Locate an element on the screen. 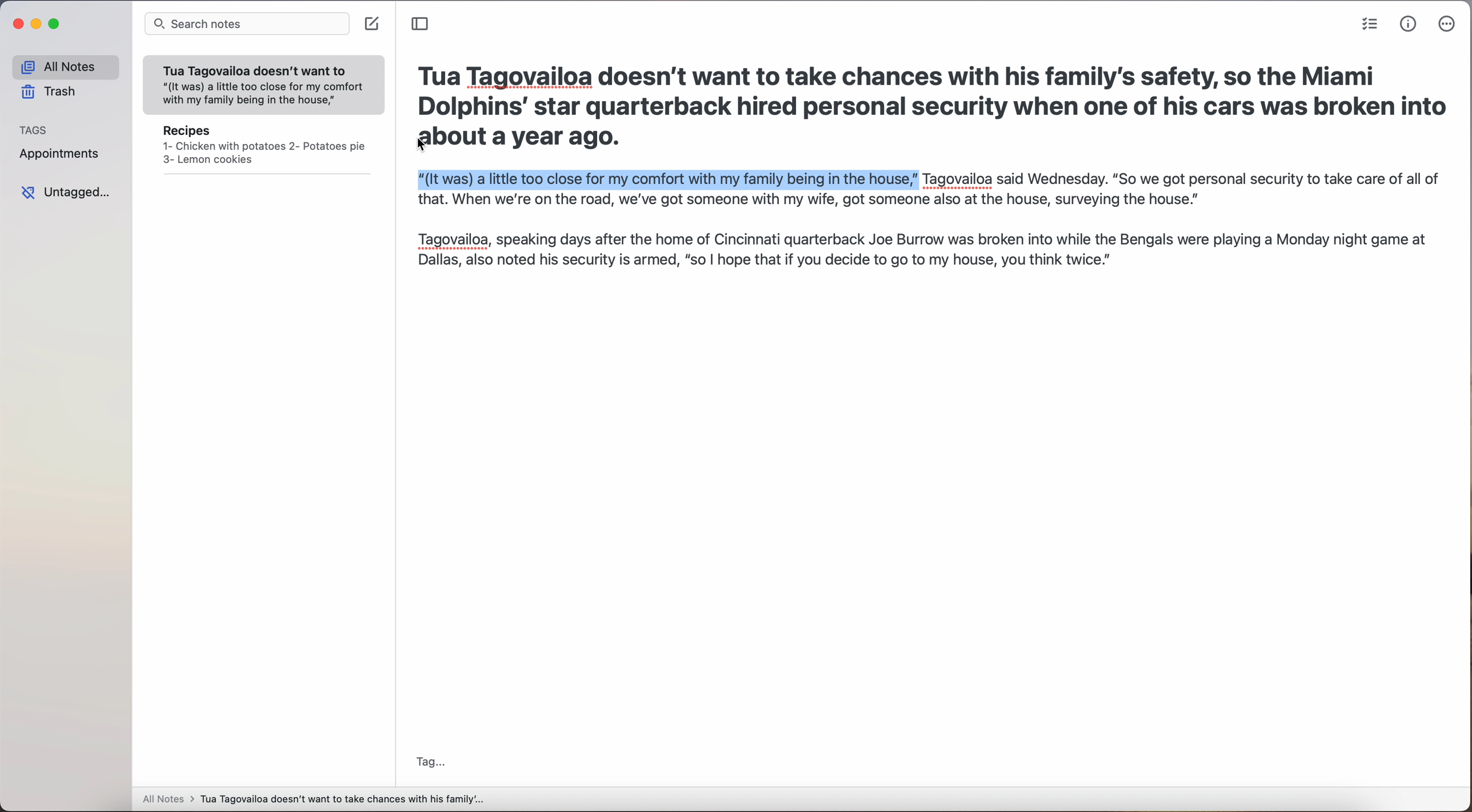  search notes is located at coordinates (246, 25).